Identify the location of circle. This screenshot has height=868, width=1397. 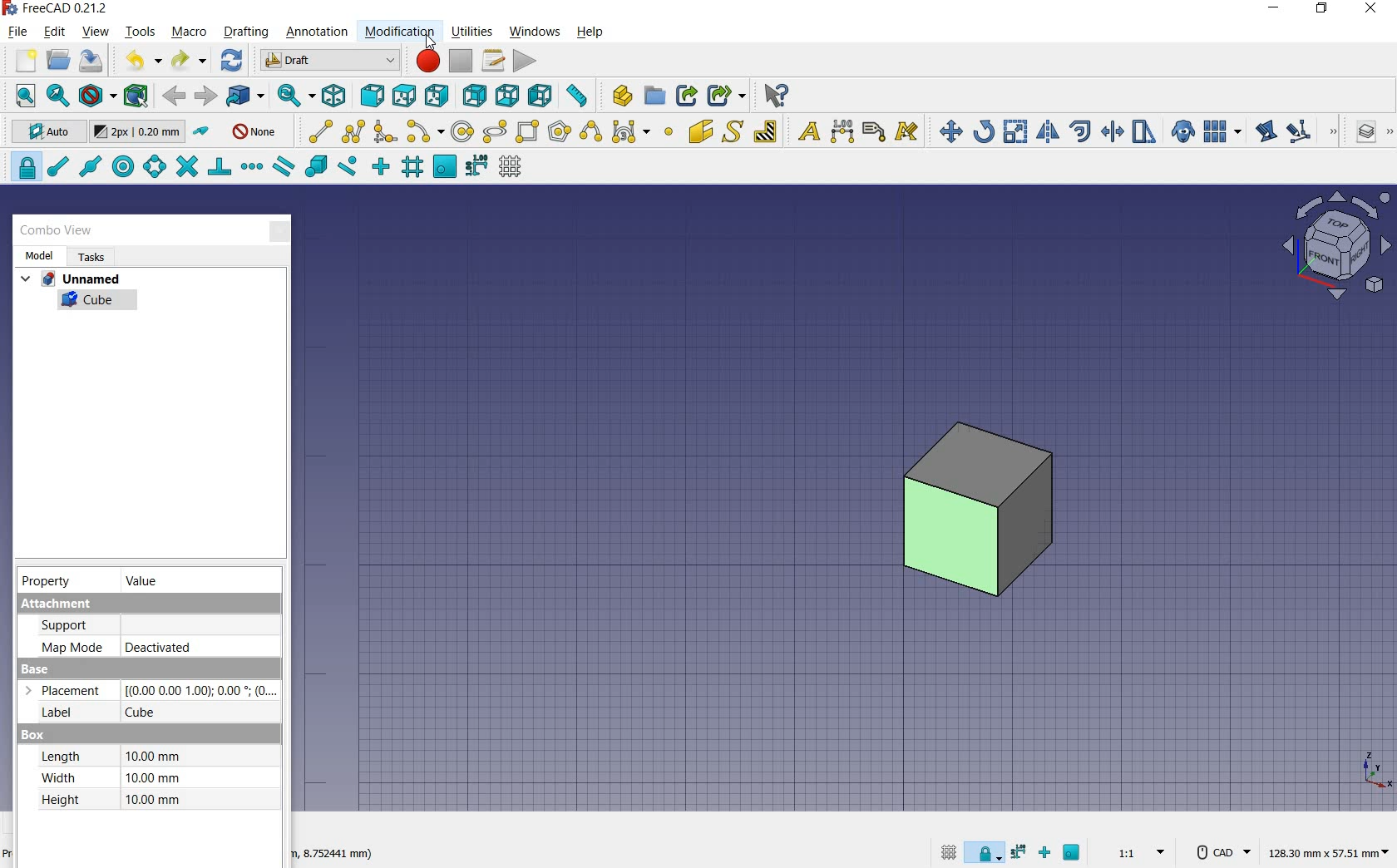
(464, 131).